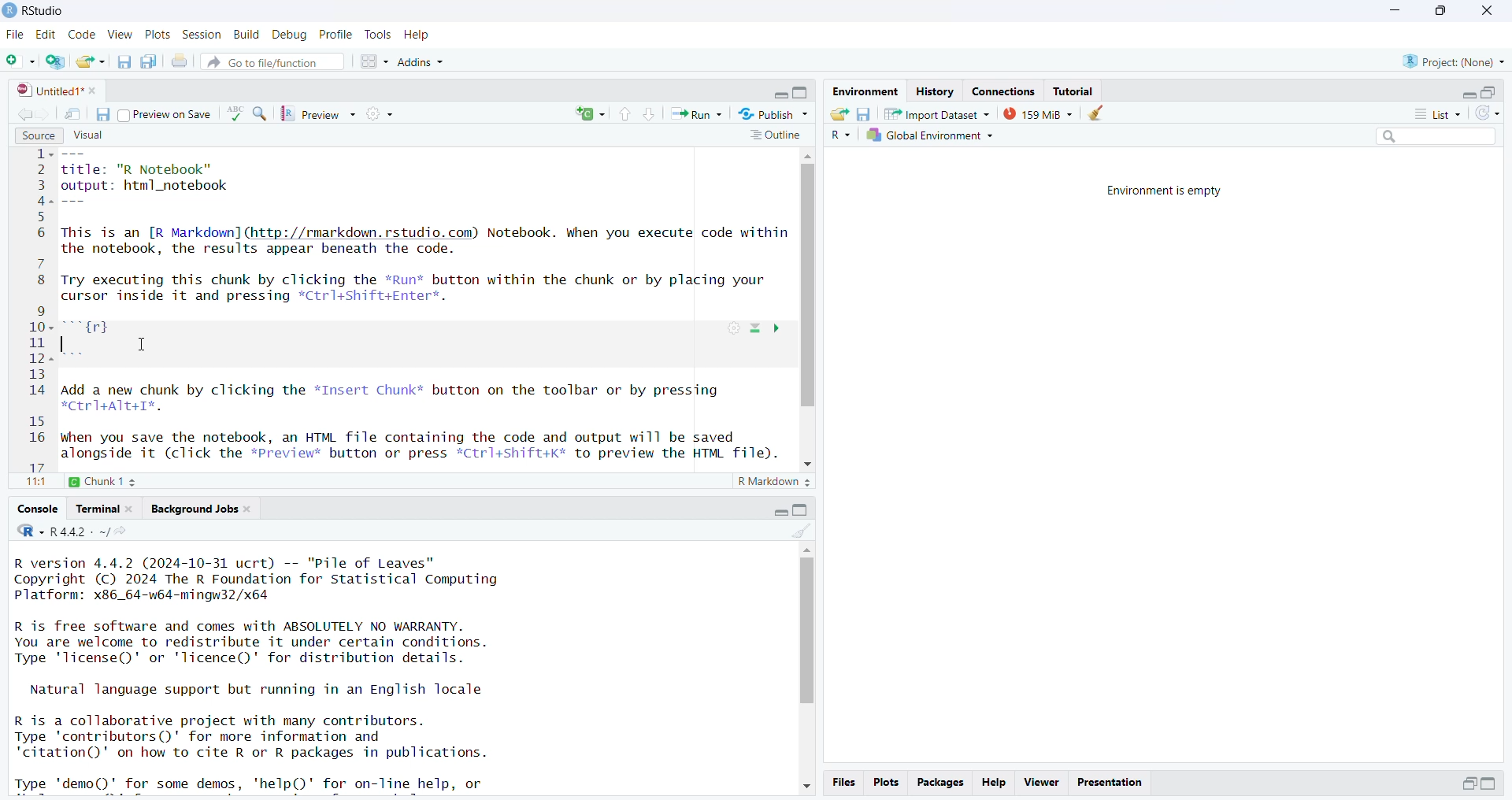 The image size is (1512, 800). What do you see at coordinates (1075, 91) in the screenshot?
I see `tutorial` at bounding box center [1075, 91].